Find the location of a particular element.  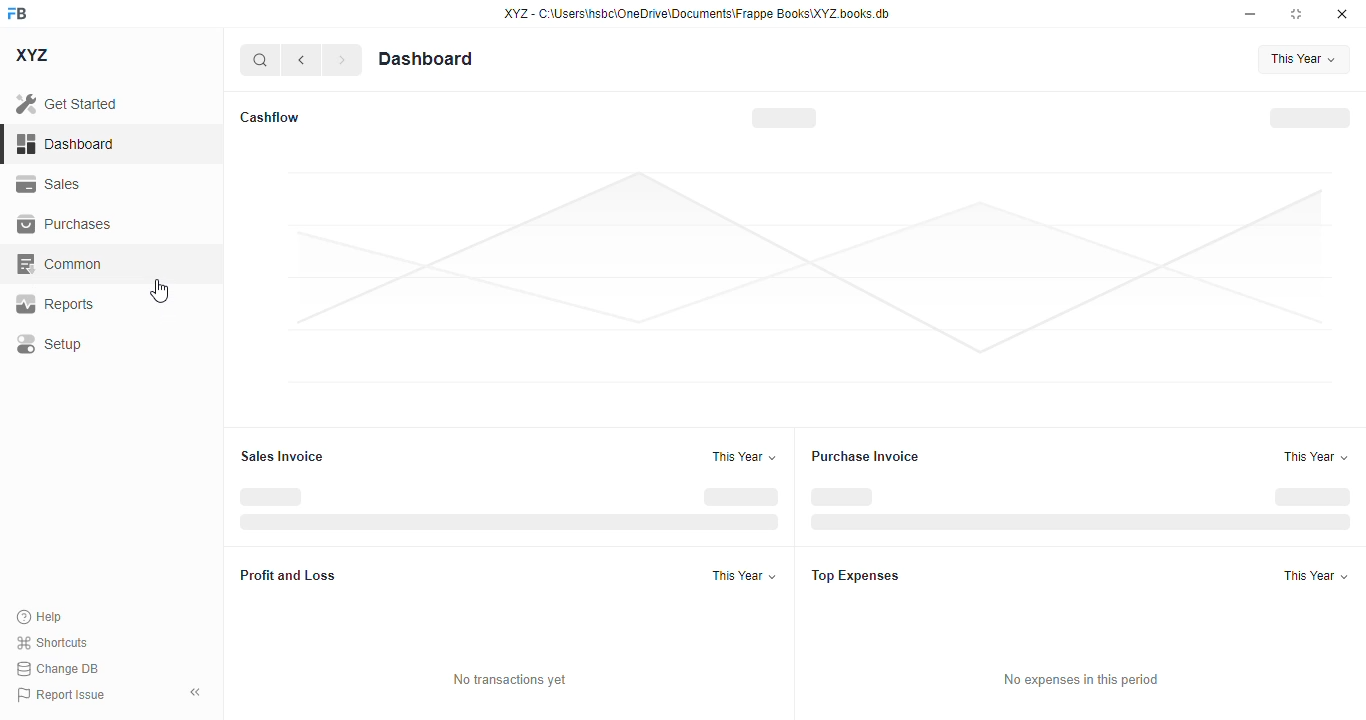

purchases is located at coordinates (65, 224).